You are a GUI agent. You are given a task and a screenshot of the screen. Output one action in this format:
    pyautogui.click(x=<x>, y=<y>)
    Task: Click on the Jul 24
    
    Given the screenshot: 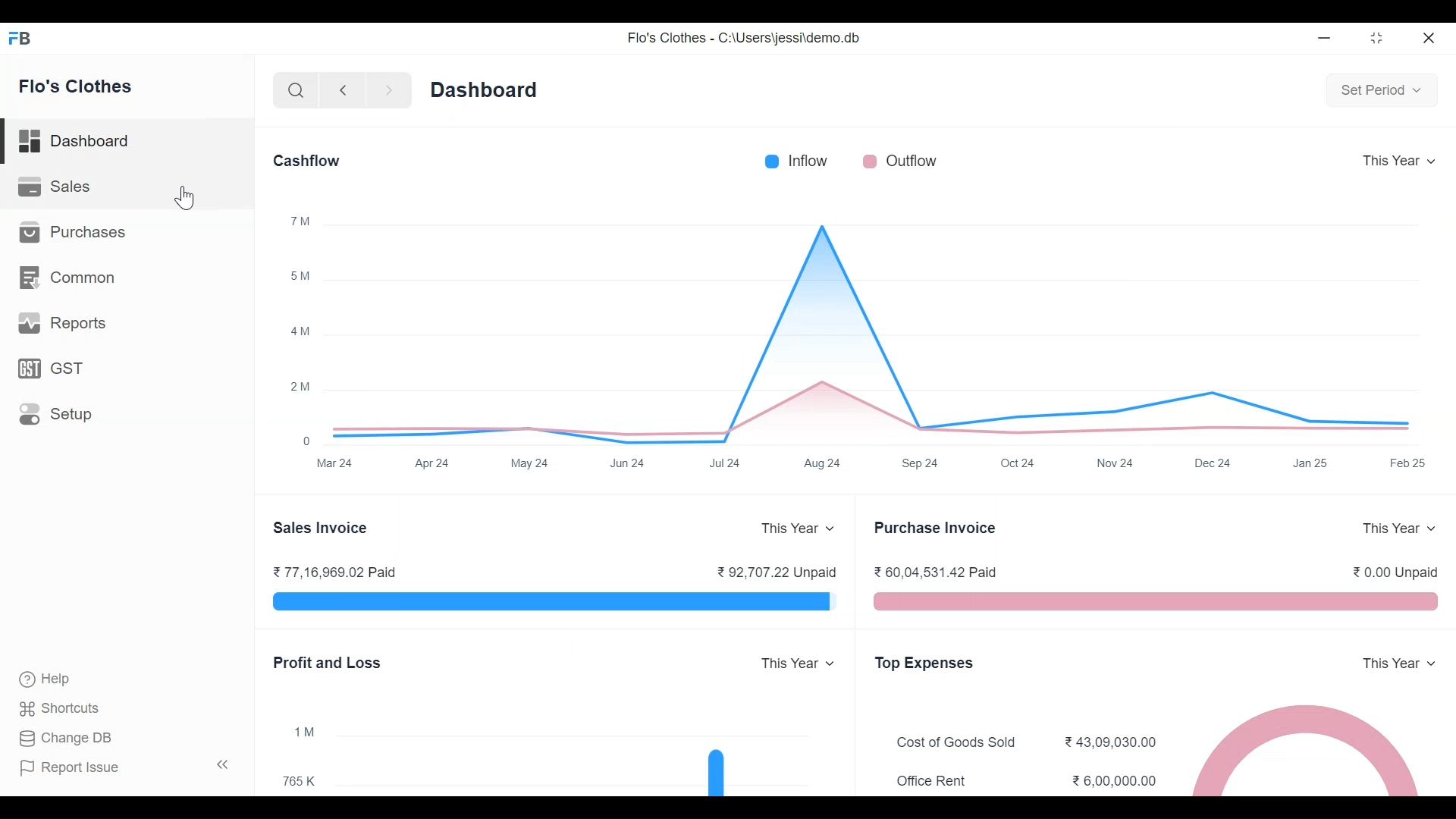 What is the action you would take?
    pyautogui.click(x=725, y=463)
    